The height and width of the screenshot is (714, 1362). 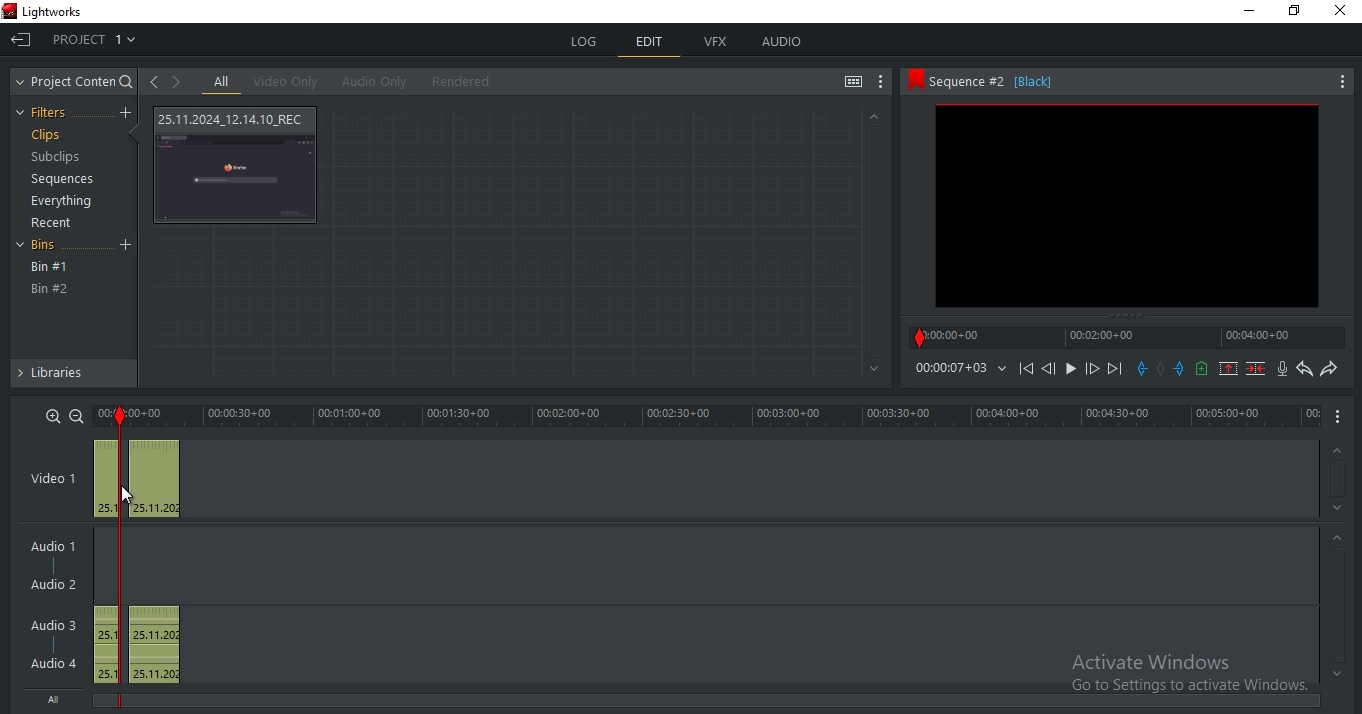 I want to click on show settings menu, so click(x=882, y=84).